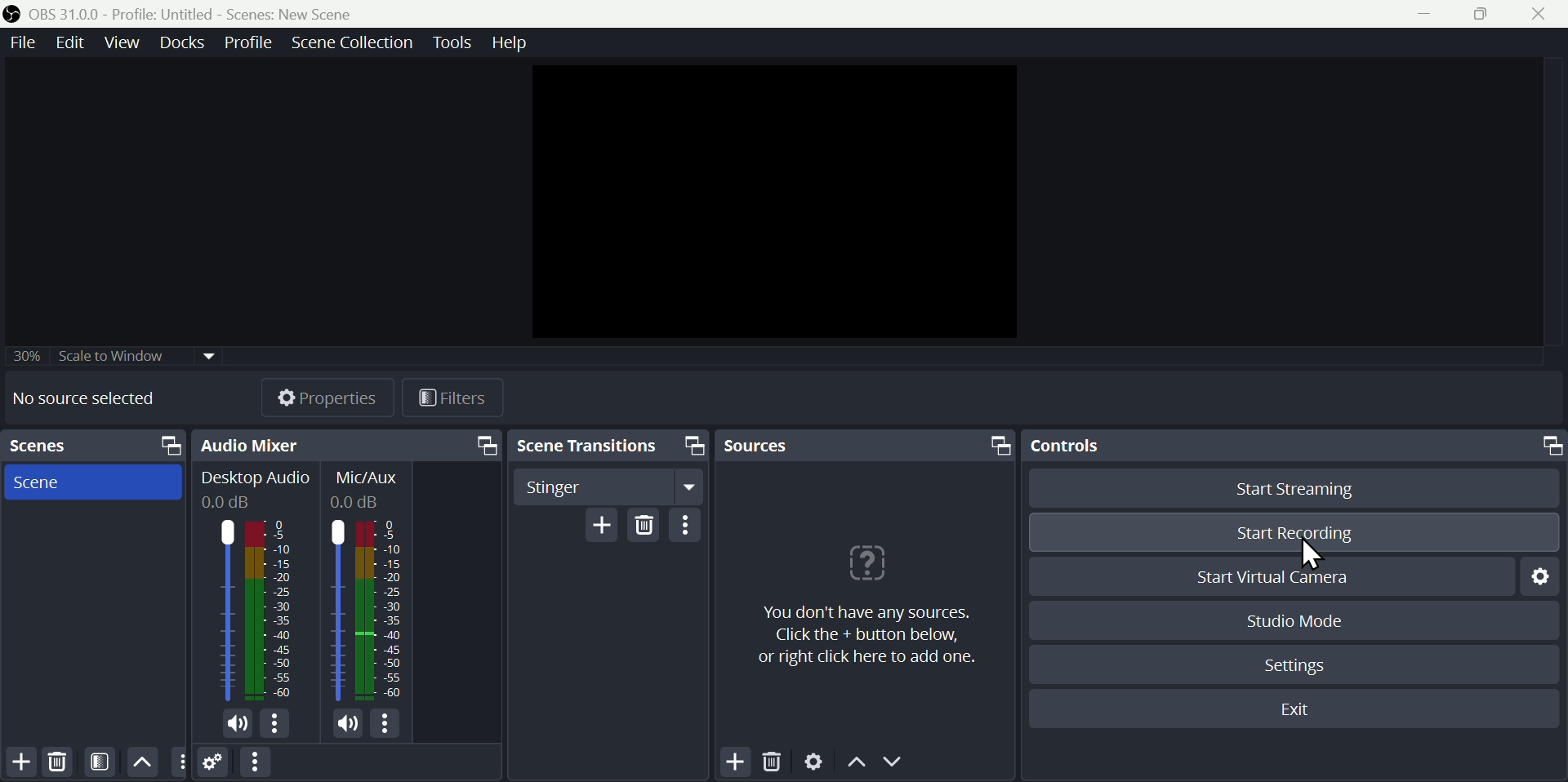 Image resolution: width=1568 pixels, height=782 pixels. Describe the element at coordinates (142, 763) in the screenshot. I see `up` at that location.